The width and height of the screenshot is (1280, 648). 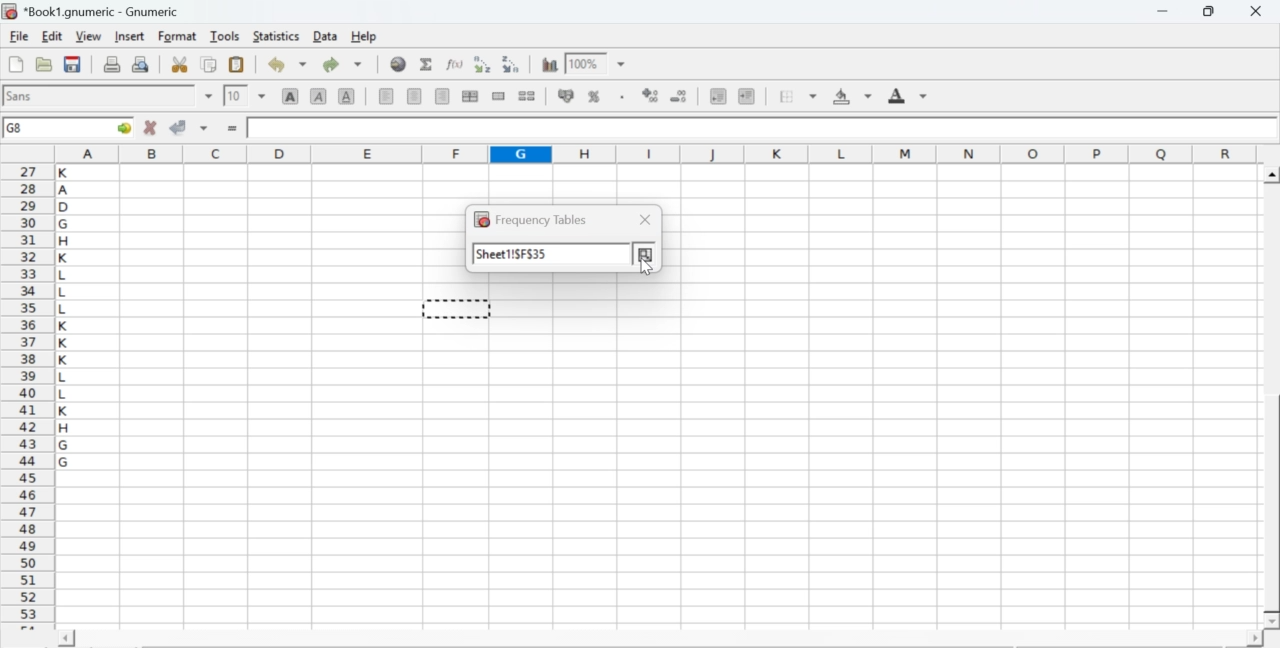 What do you see at coordinates (415, 96) in the screenshot?
I see `center horizontally` at bounding box center [415, 96].